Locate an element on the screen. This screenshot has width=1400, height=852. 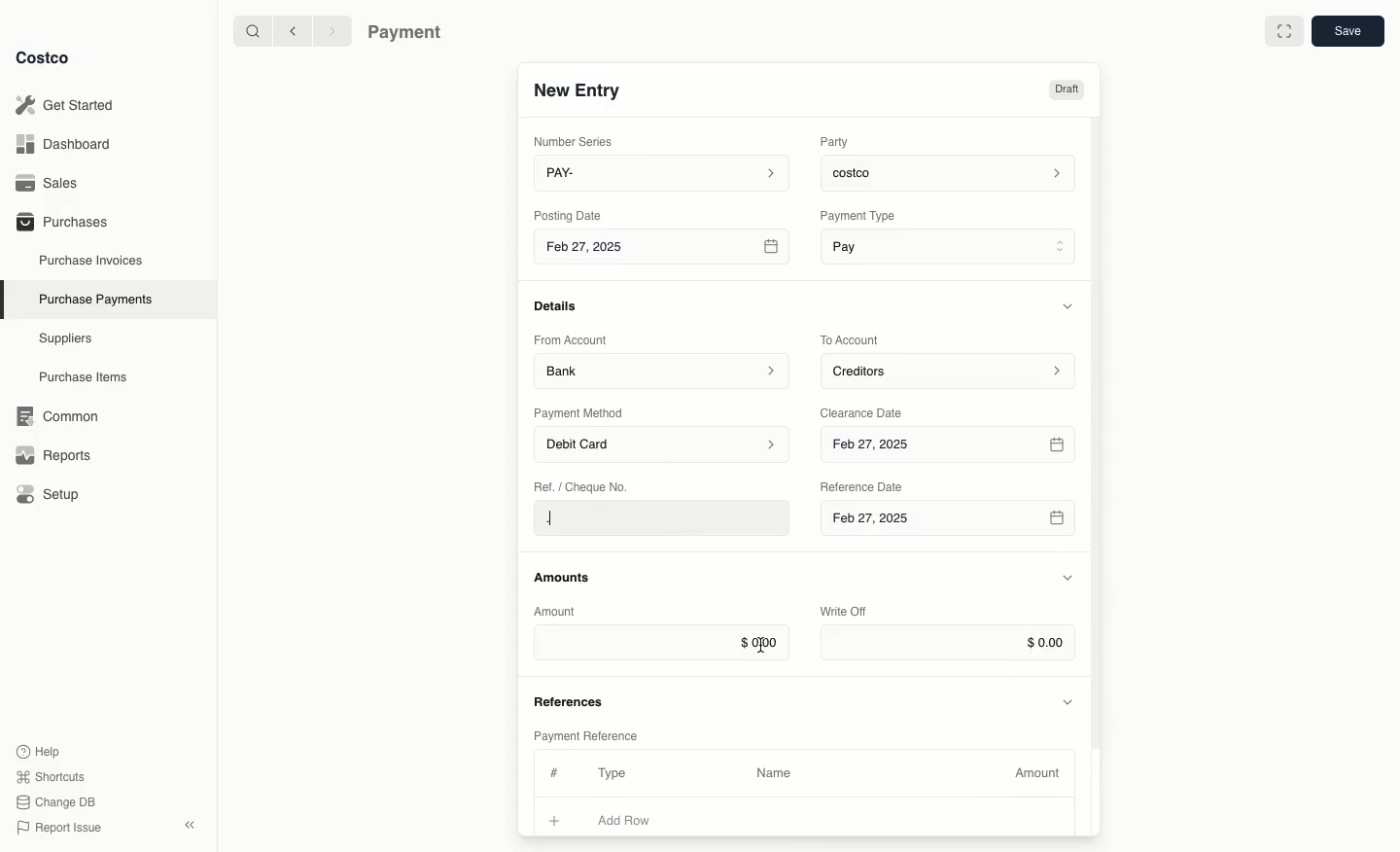
‘Payment Type is located at coordinates (857, 215).